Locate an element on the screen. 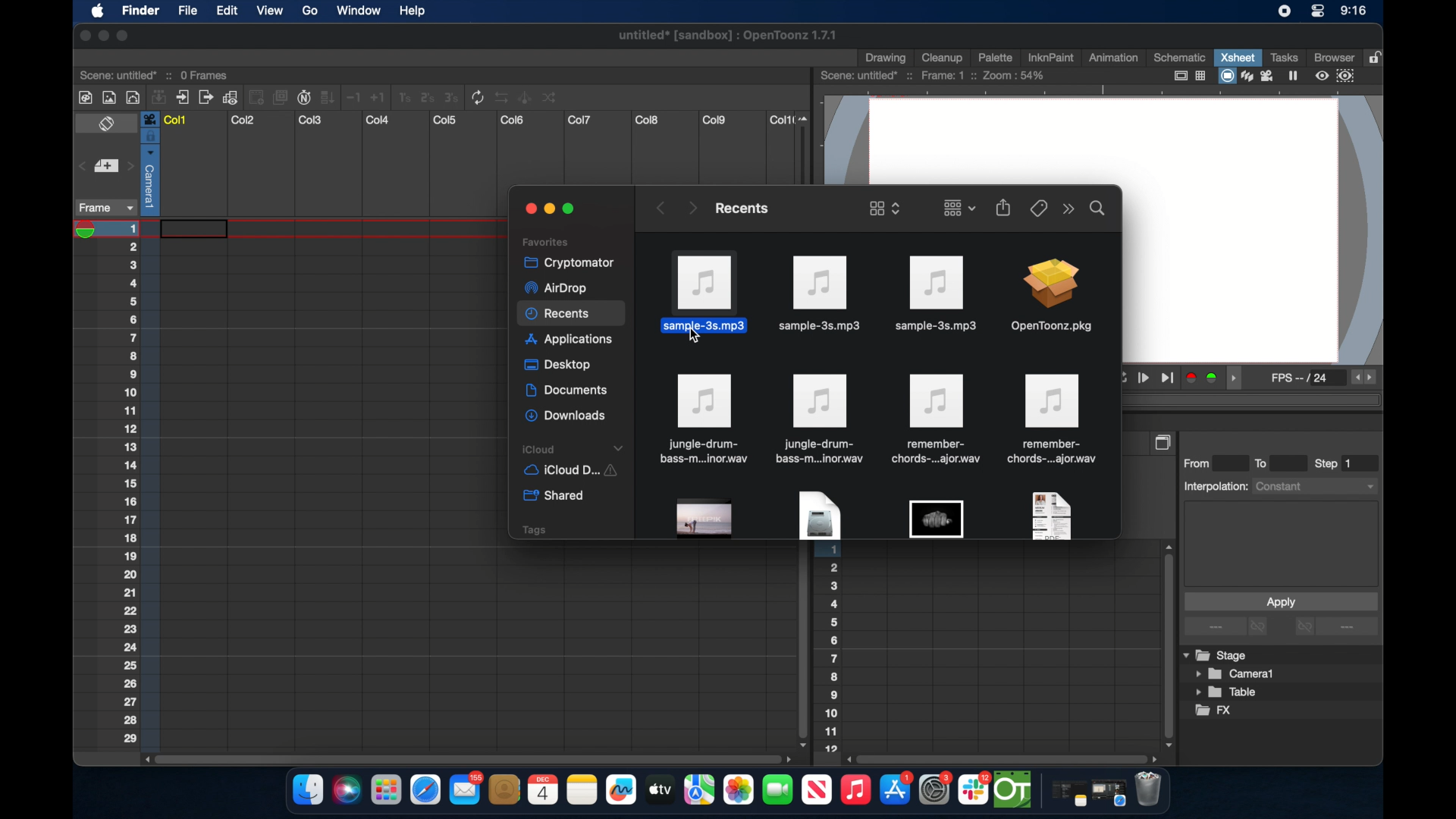 This screenshot has width=1456, height=819. recents is located at coordinates (740, 208).